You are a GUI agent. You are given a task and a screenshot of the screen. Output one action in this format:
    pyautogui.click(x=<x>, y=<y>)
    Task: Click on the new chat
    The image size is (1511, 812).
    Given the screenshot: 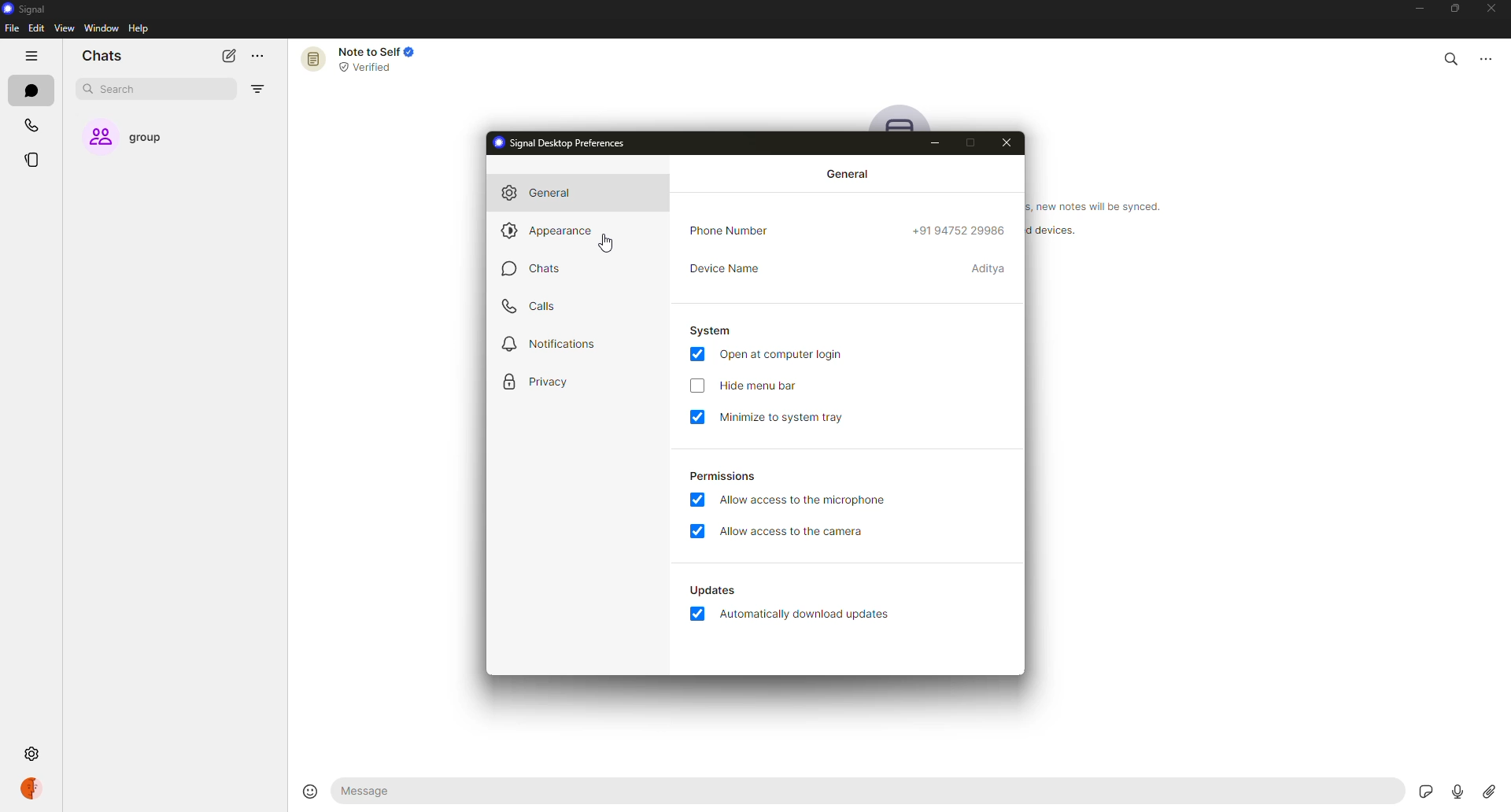 What is the action you would take?
    pyautogui.click(x=228, y=55)
    